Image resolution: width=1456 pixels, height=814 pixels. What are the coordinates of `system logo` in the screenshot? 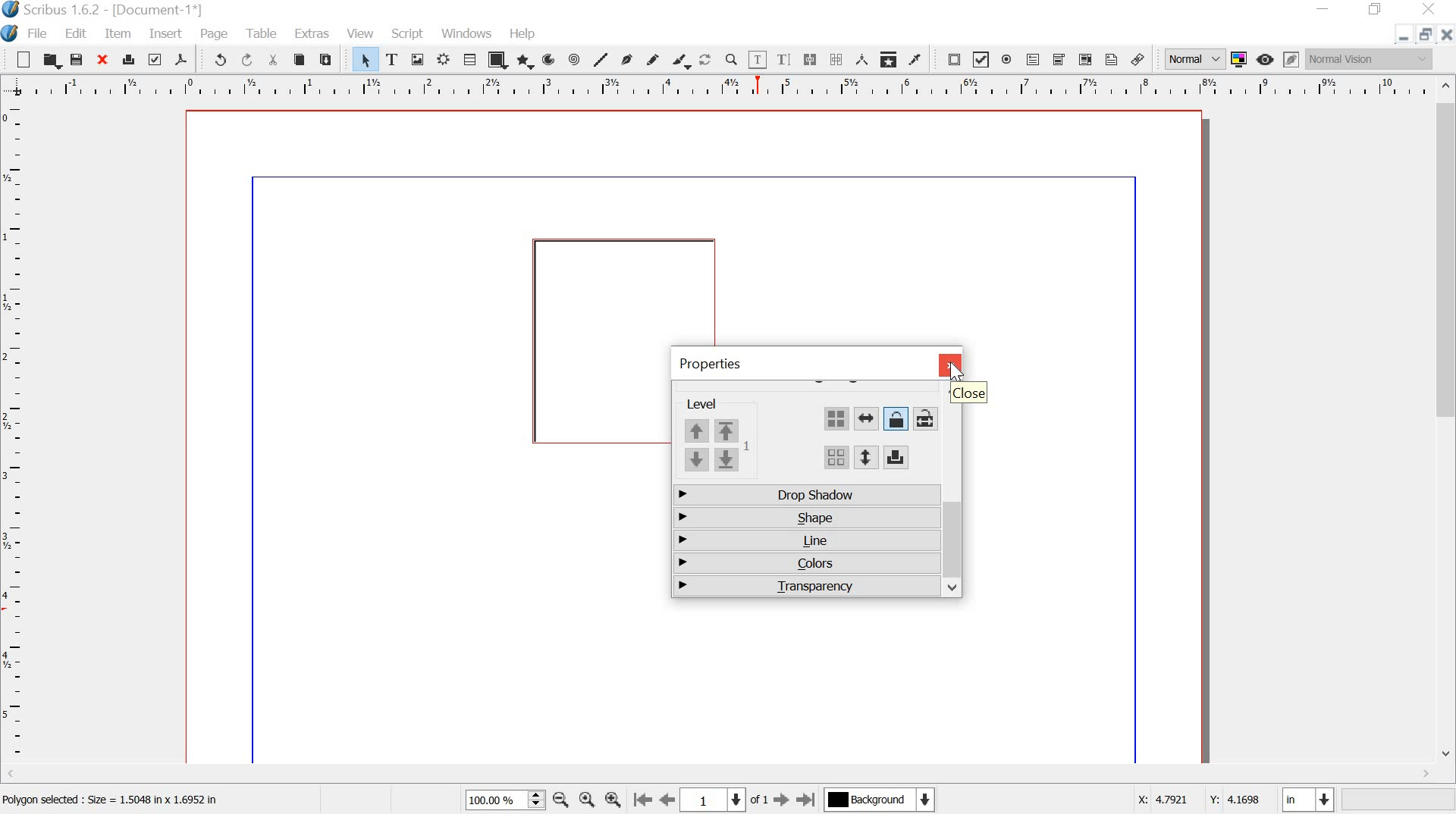 It's located at (11, 33).